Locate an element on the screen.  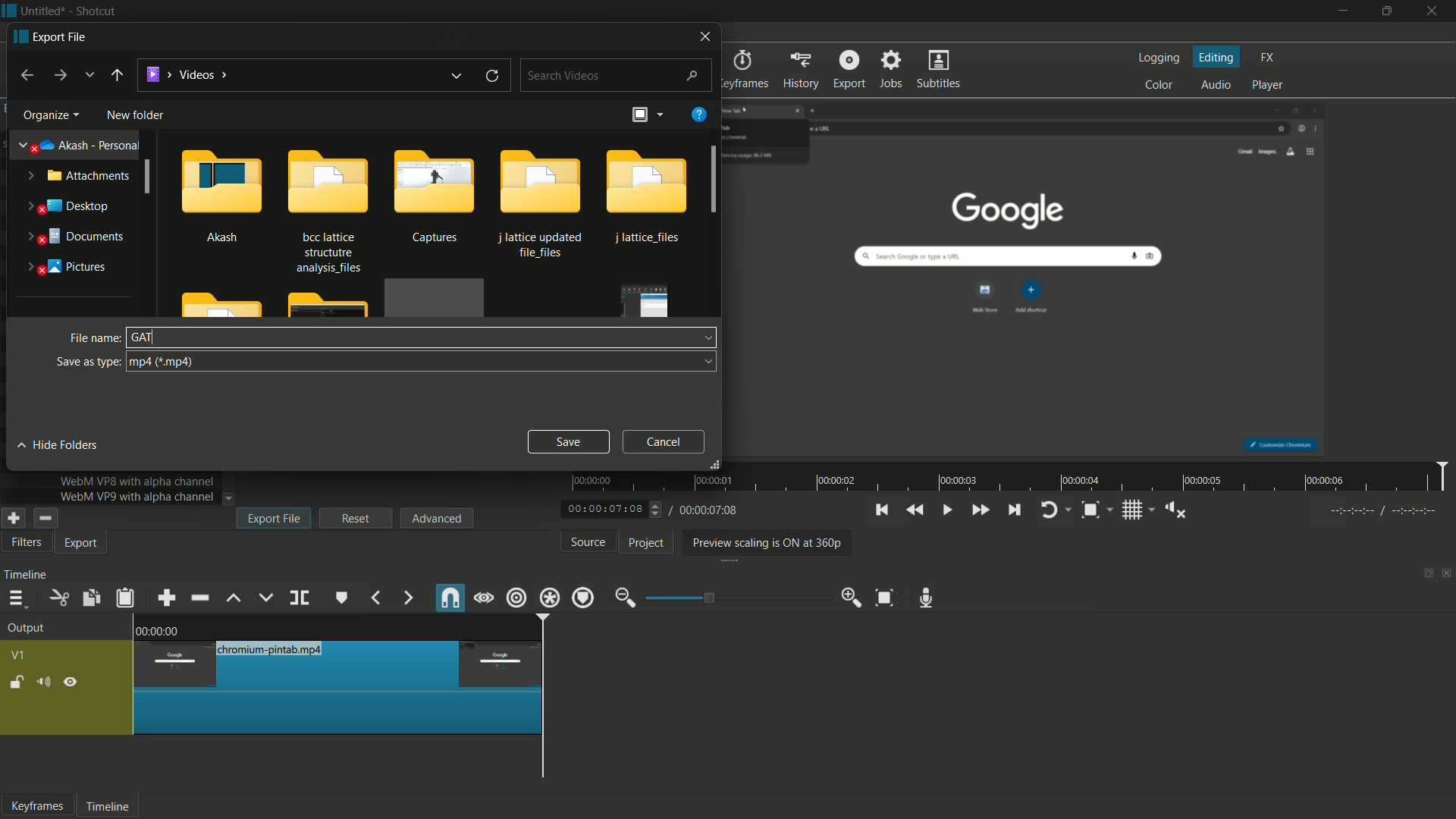
scroll bar is located at coordinates (679, 785).